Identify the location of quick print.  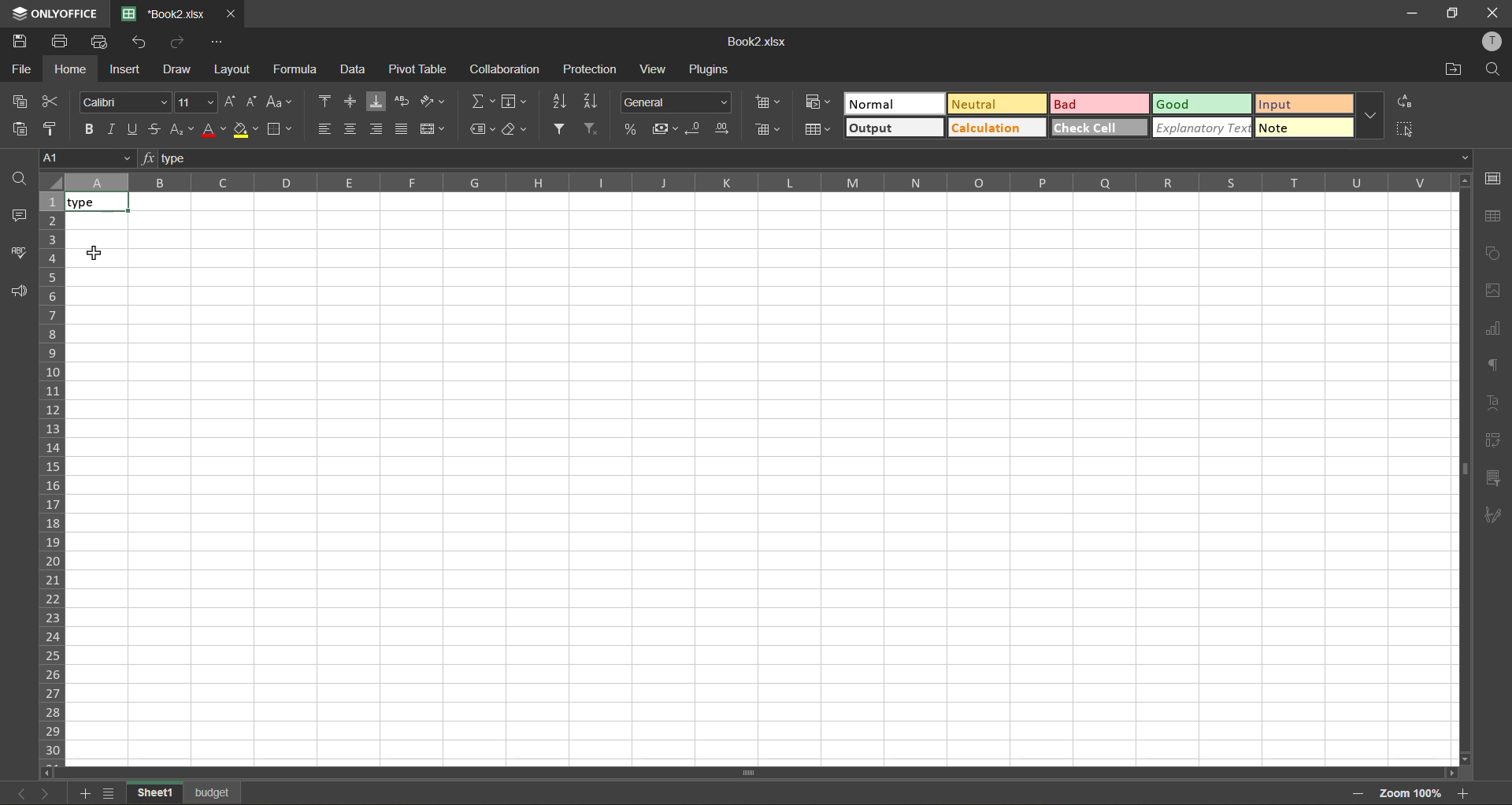
(103, 42).